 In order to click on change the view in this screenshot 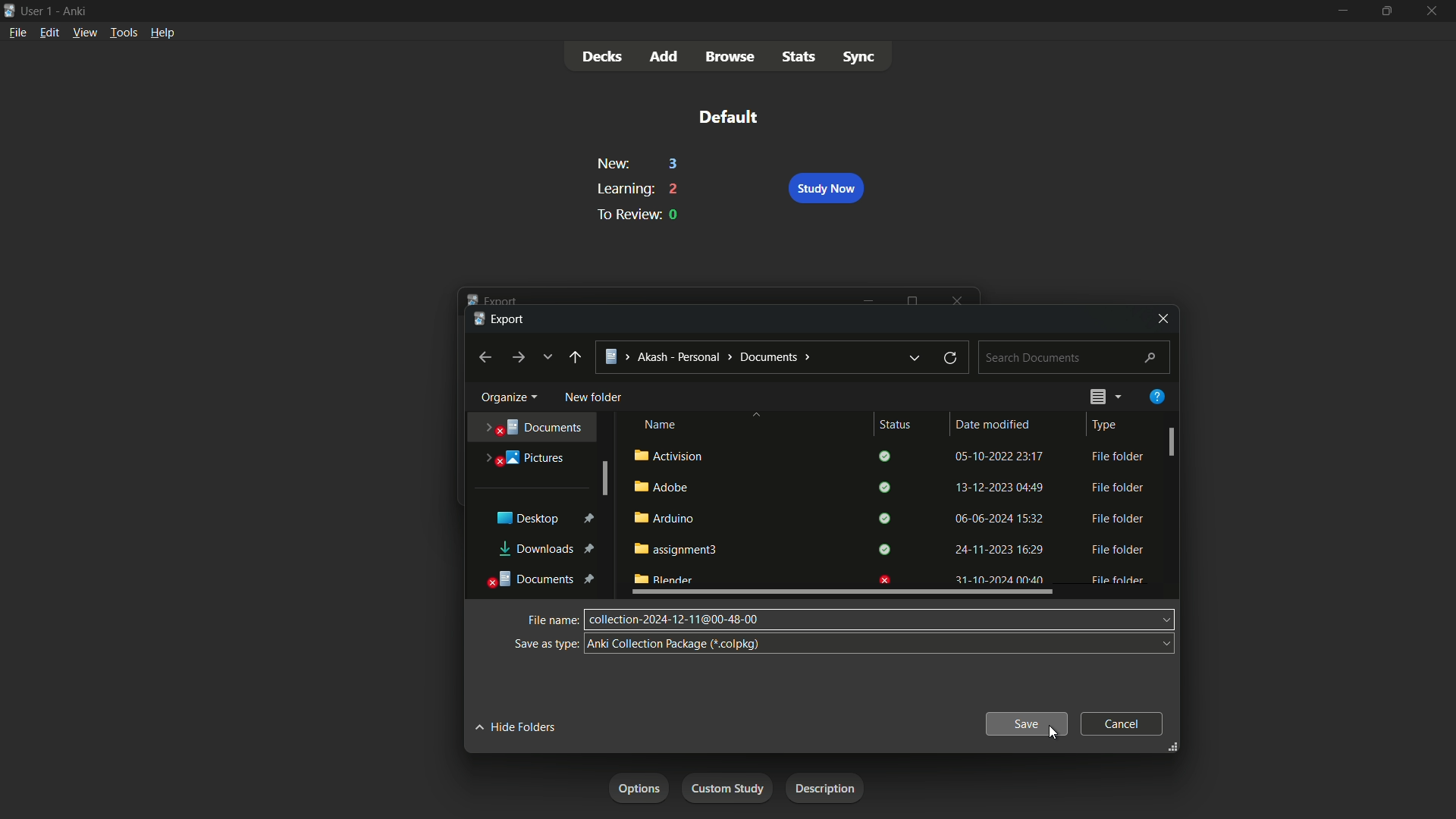, I will do `click(1095, 397)`.